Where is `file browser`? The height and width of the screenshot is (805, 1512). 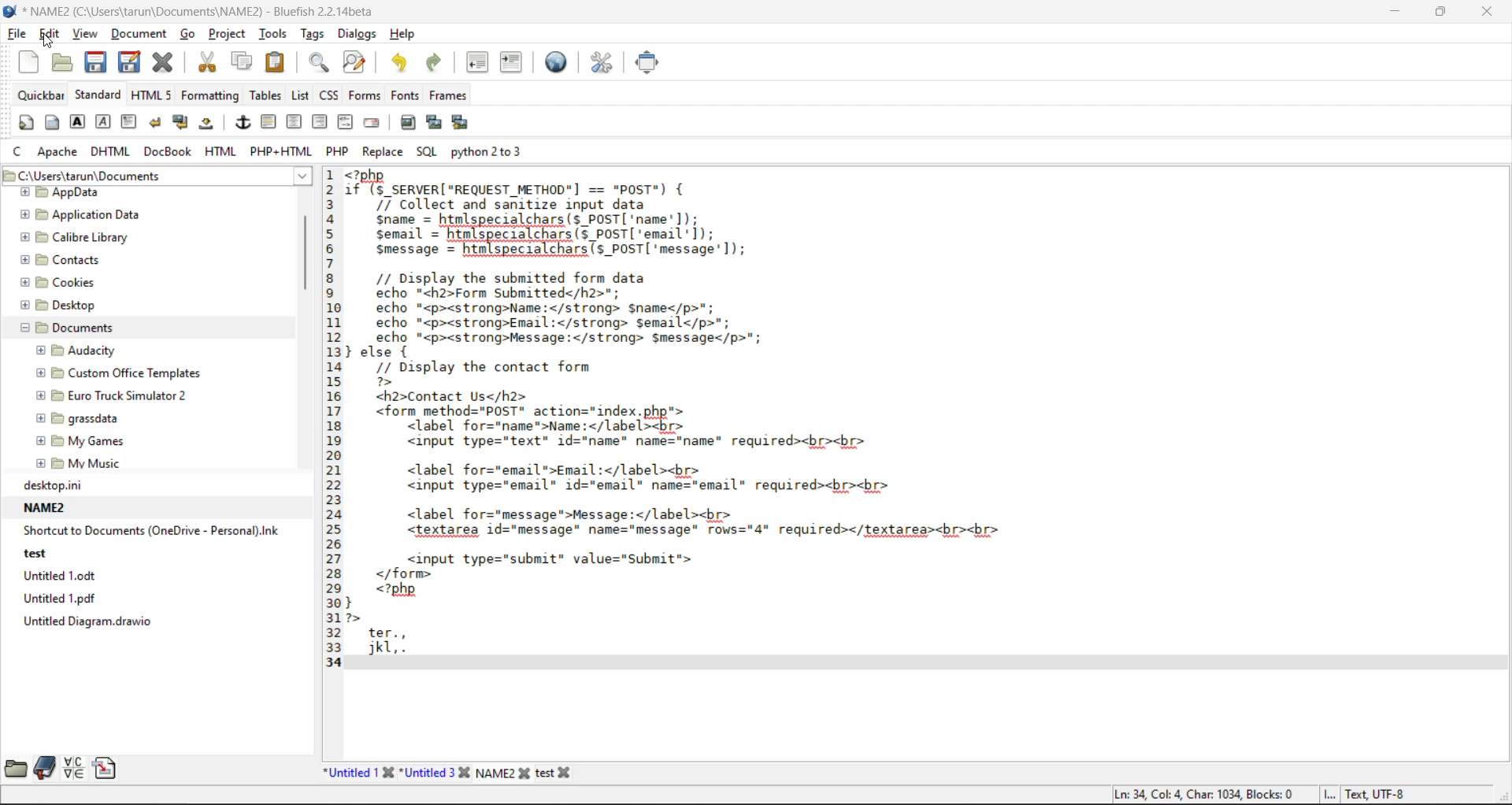
file browser is located at coordinates (11, 770).